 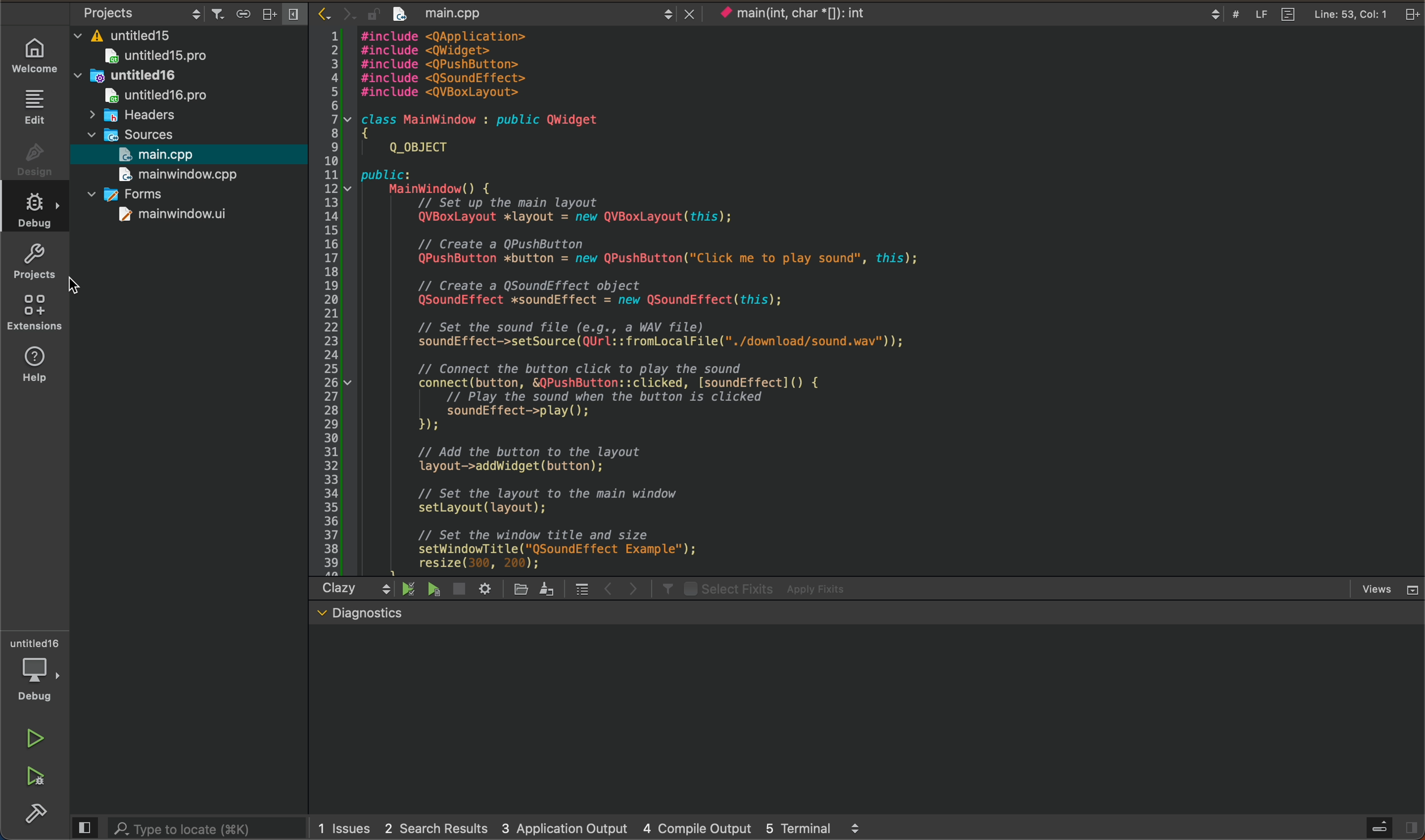 I want to click on , so click(x=135, y=73).